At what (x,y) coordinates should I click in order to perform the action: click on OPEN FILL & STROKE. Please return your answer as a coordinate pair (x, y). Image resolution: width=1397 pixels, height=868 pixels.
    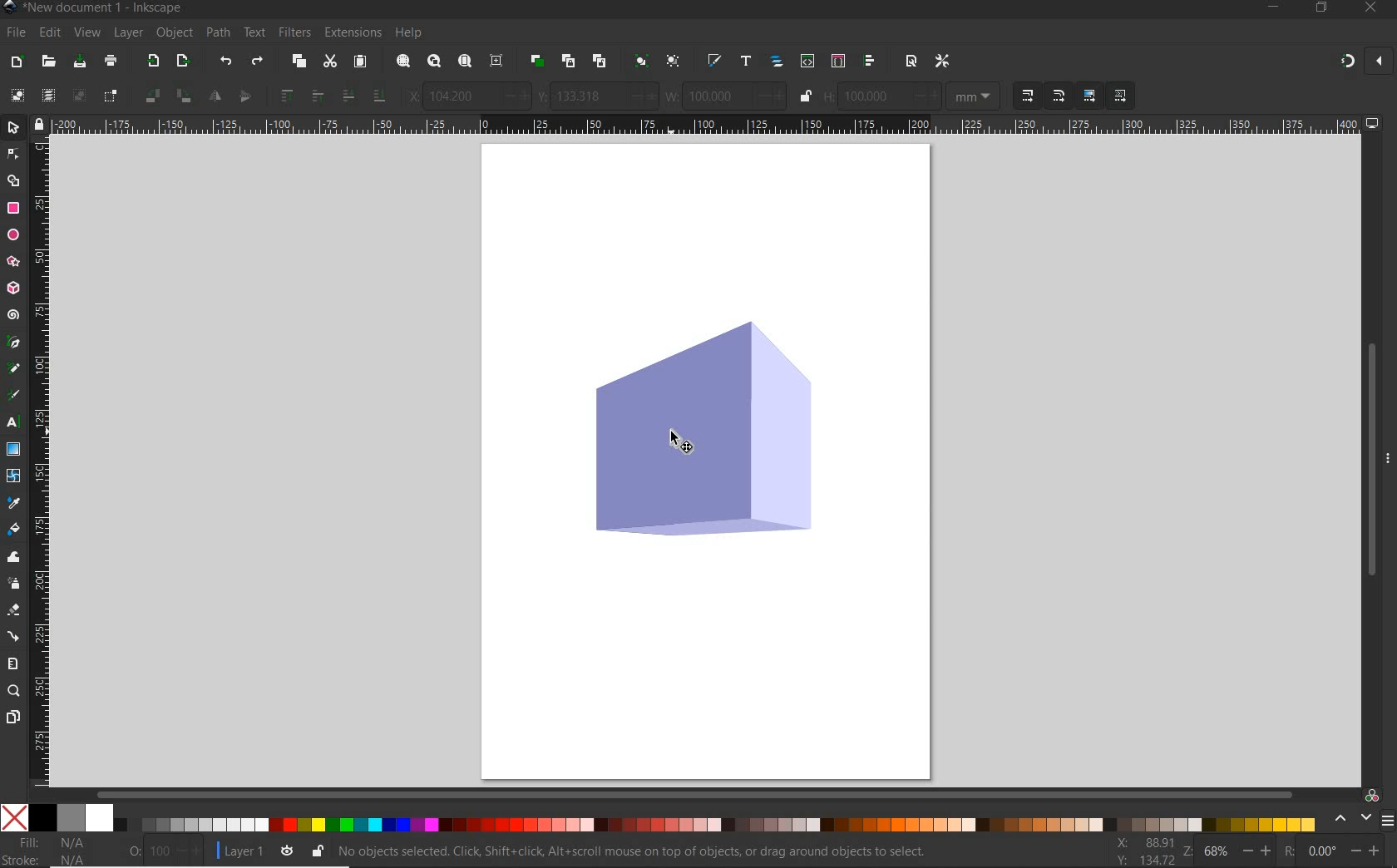
    Looking at the image, I should click on (713, 60).